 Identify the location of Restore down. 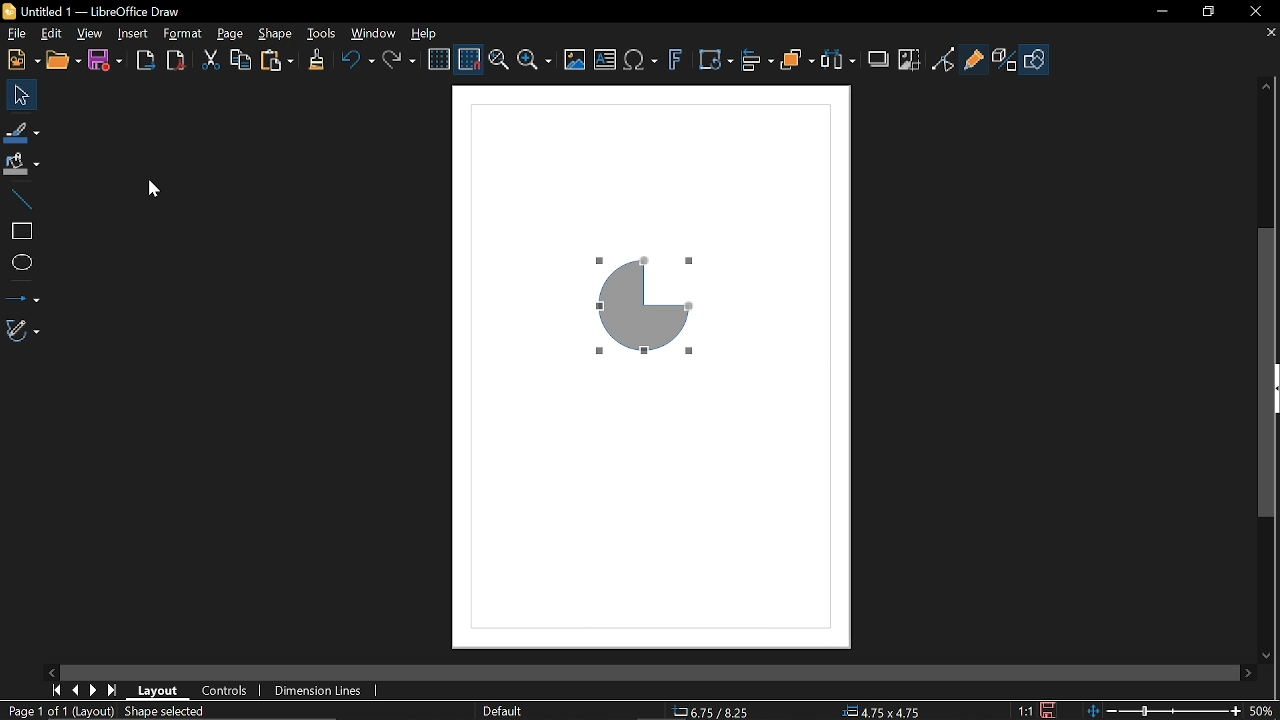
(1209, 13).